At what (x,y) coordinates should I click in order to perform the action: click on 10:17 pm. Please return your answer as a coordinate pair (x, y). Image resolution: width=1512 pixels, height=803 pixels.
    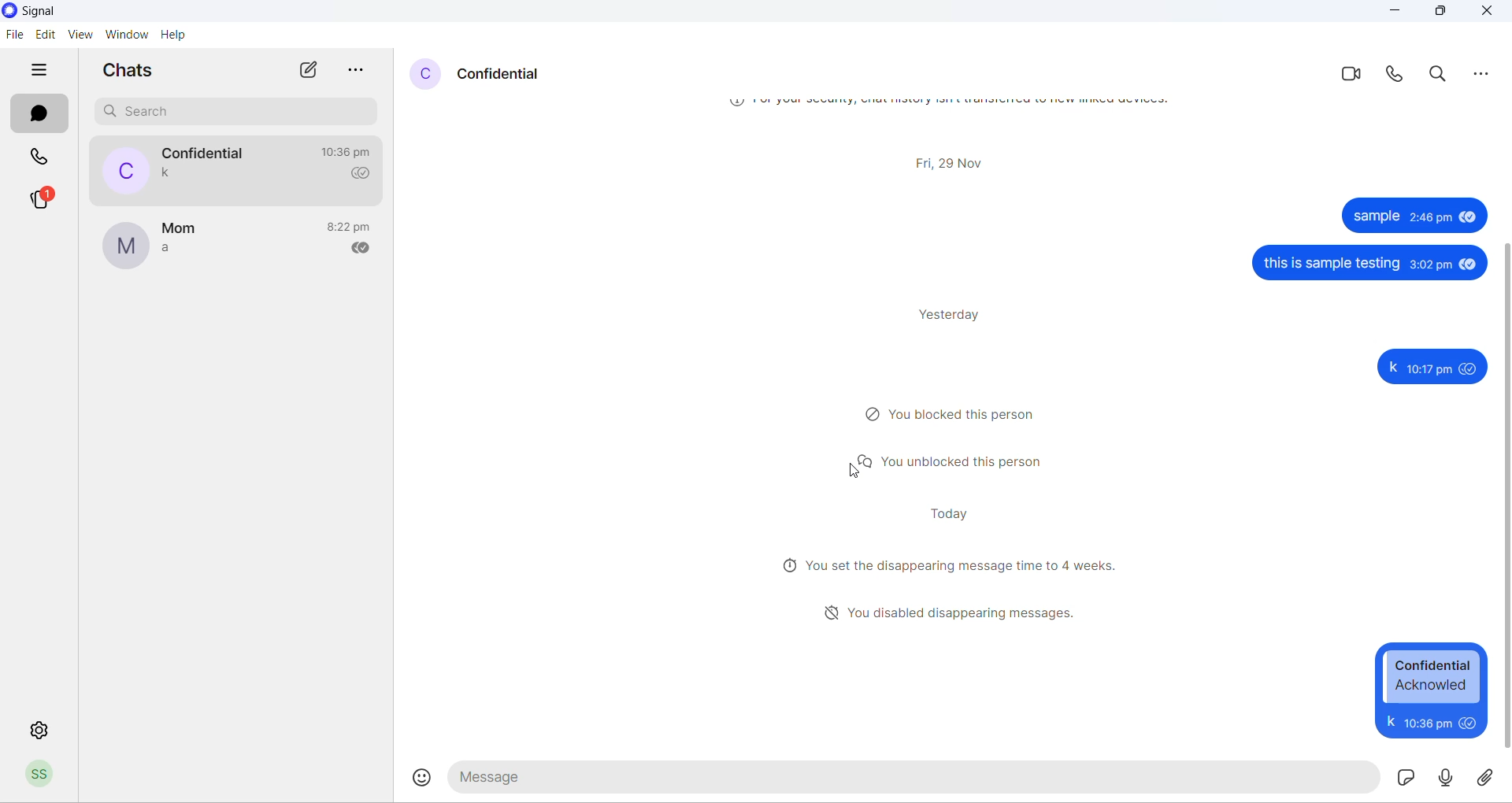
    Looking at the image, I should click on (1429, 367).